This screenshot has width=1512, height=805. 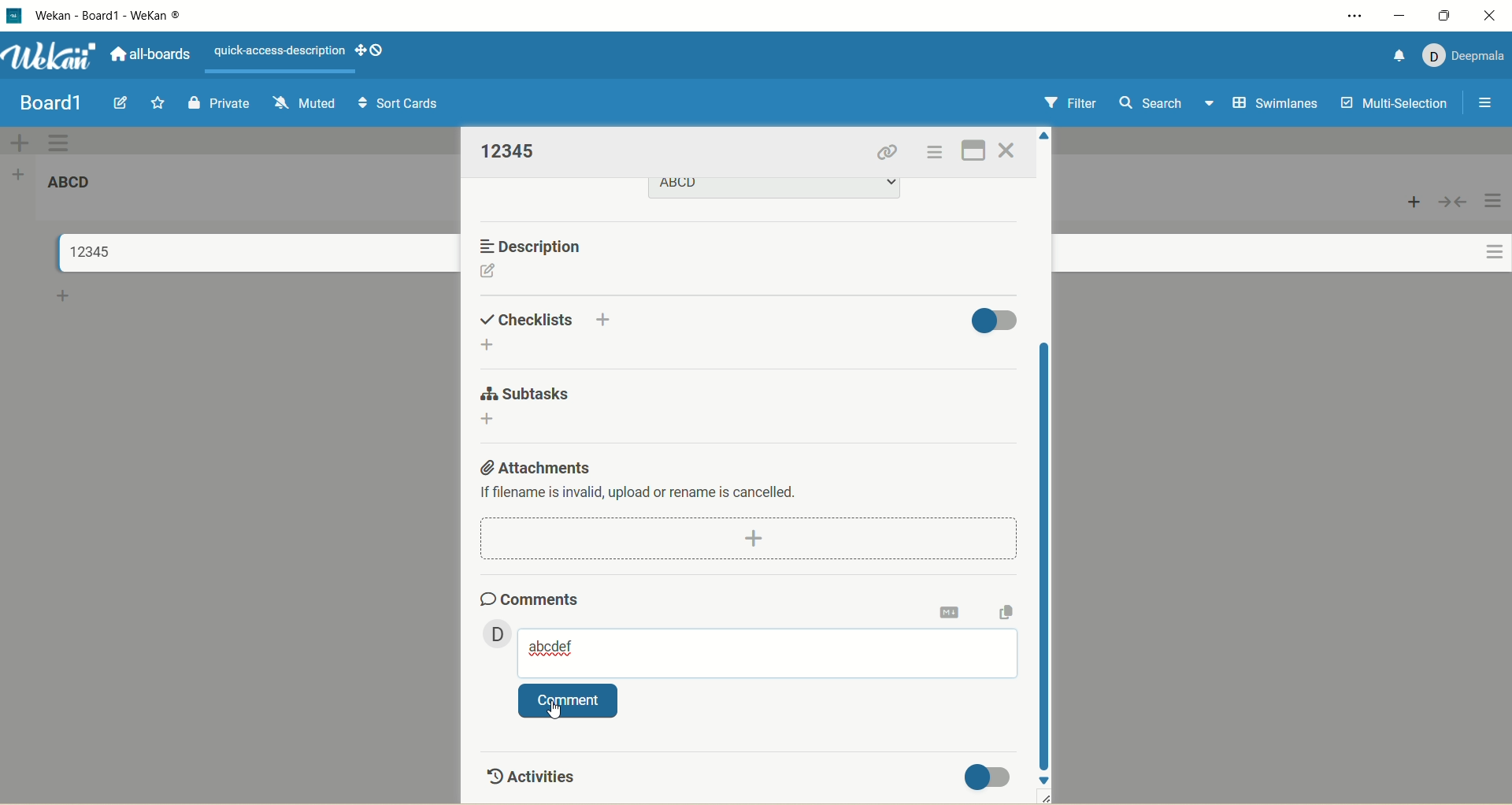 I want to click on attachments, so click(x=533, y=465).